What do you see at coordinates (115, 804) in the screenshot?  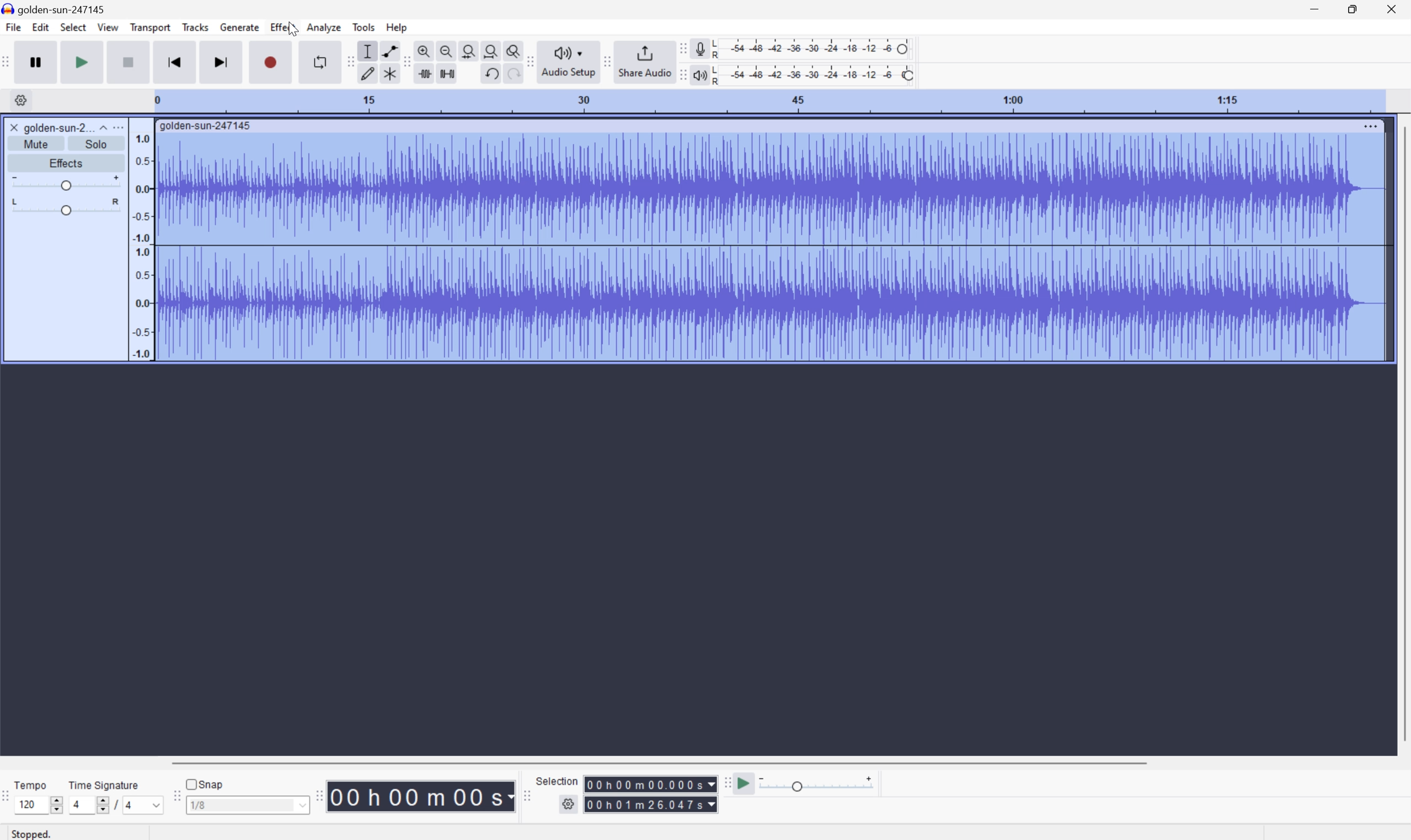 I see `/` at bounding box center [115, 804].